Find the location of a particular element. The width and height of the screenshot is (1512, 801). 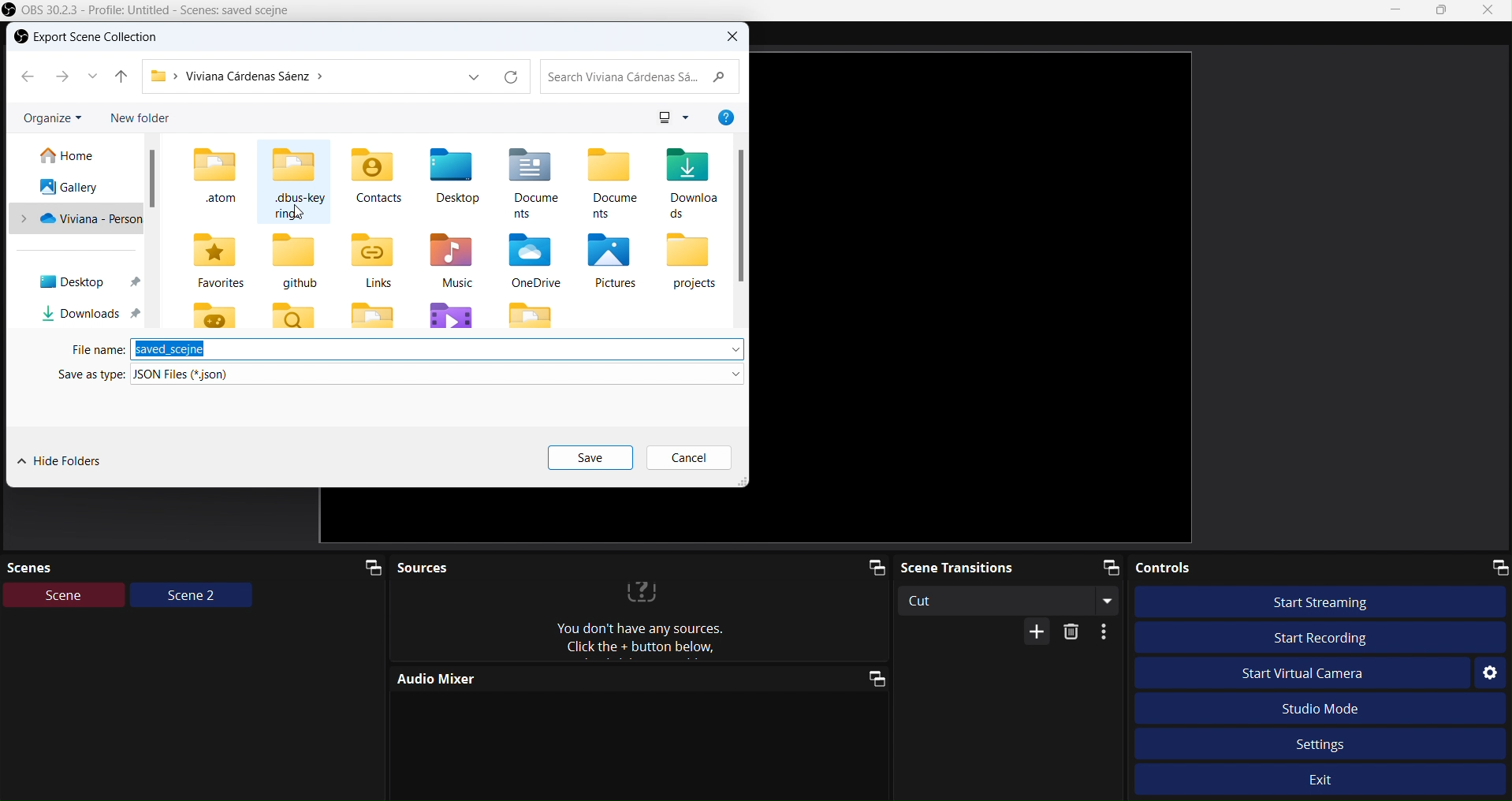

Pictures is located at coordinates (610, 260).